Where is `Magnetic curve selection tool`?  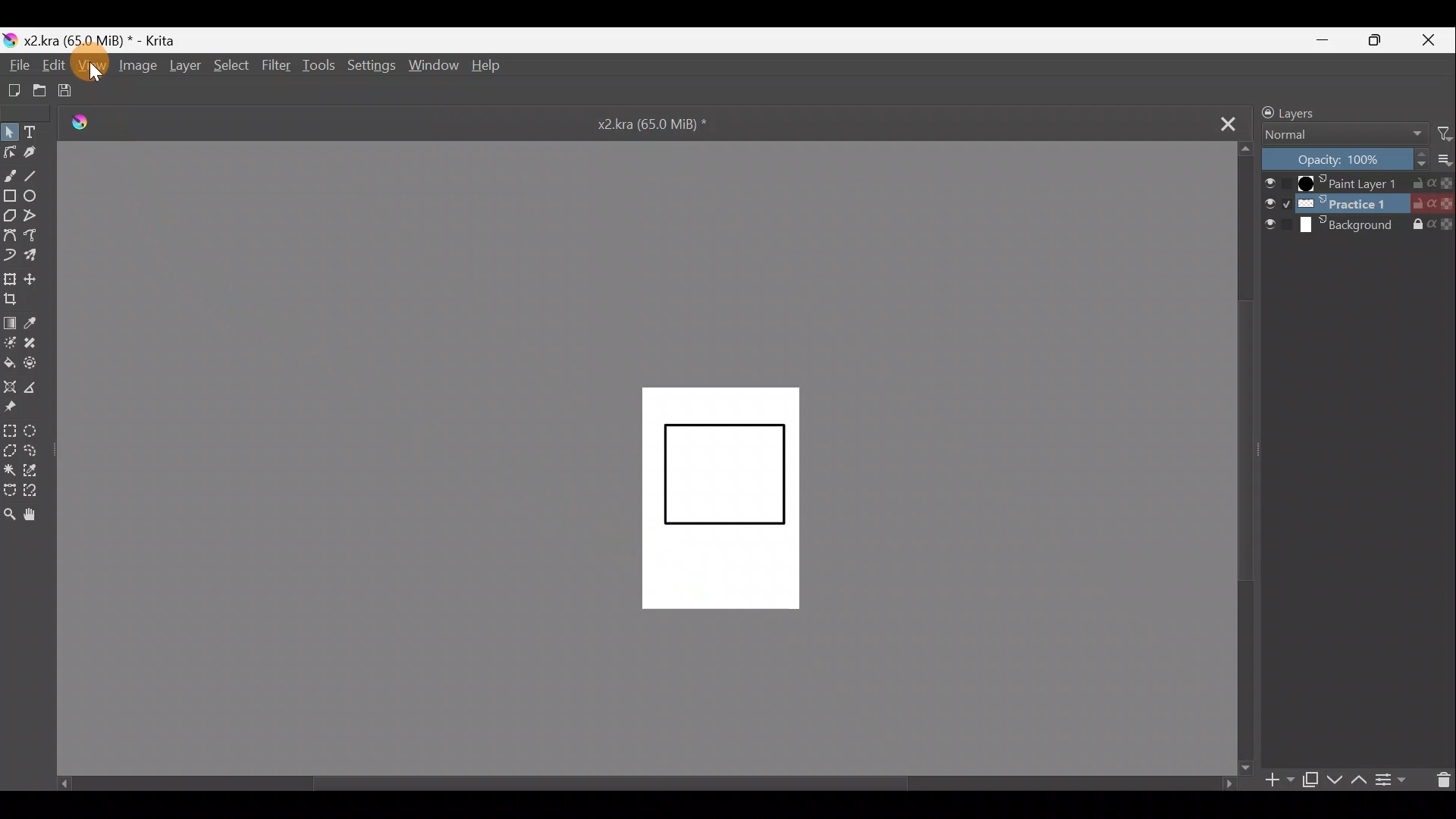 Magnetic curve selection tool is located at coordinates (43, 493).